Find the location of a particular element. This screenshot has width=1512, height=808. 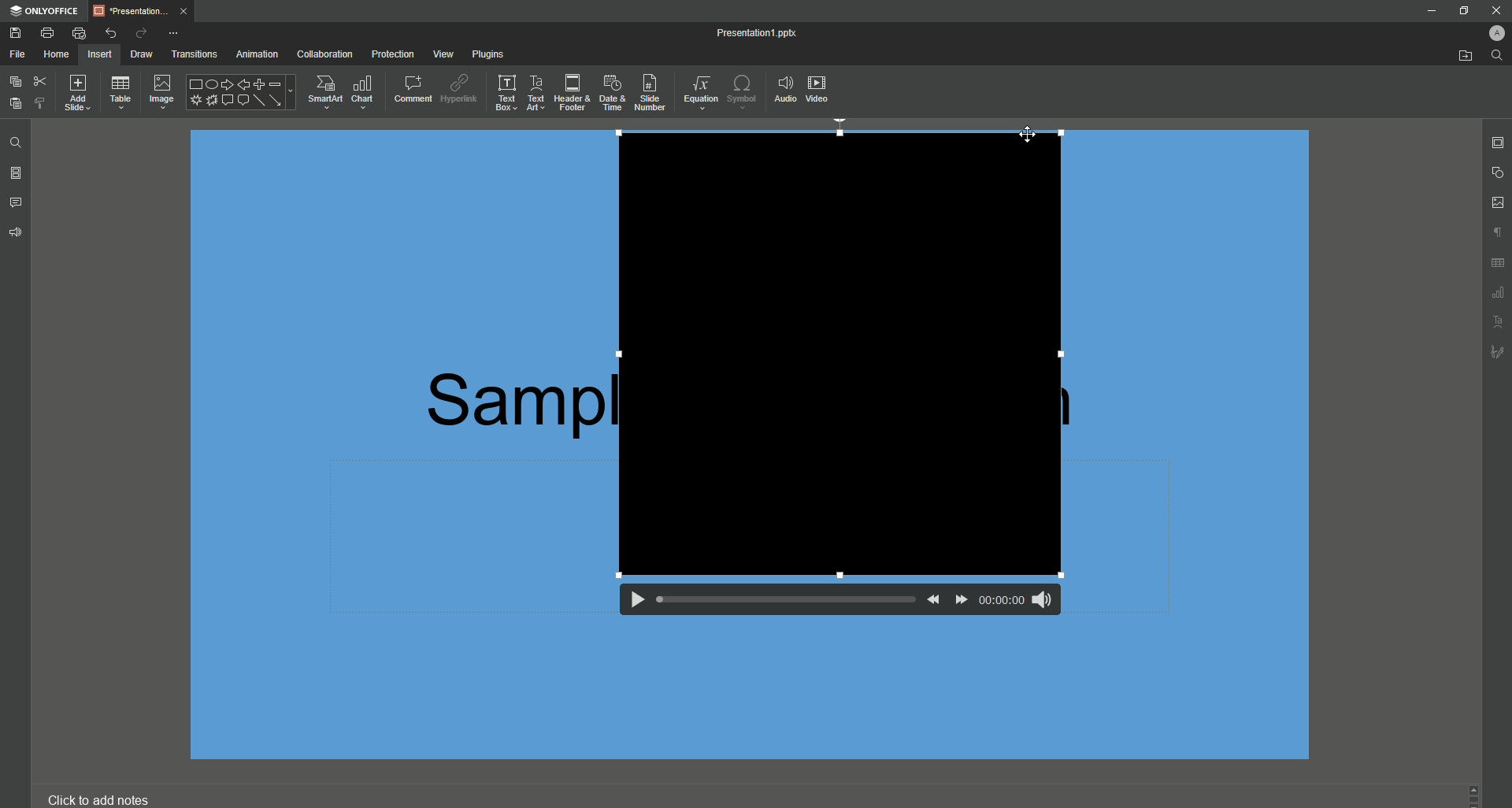

Comment is located at coordinates (413, 90).